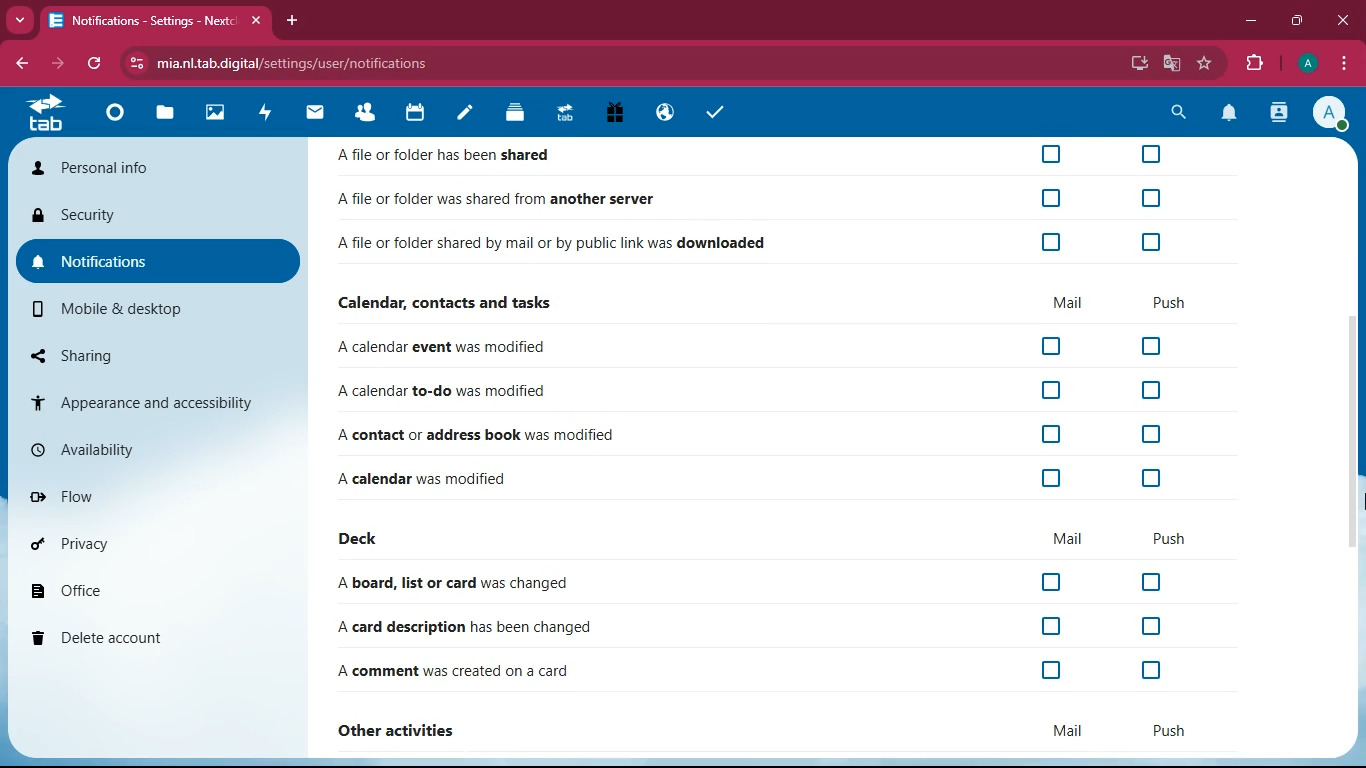 This screenshot has width=1366, height=768. I want to click on A calendar was modified, so click(456, 482).